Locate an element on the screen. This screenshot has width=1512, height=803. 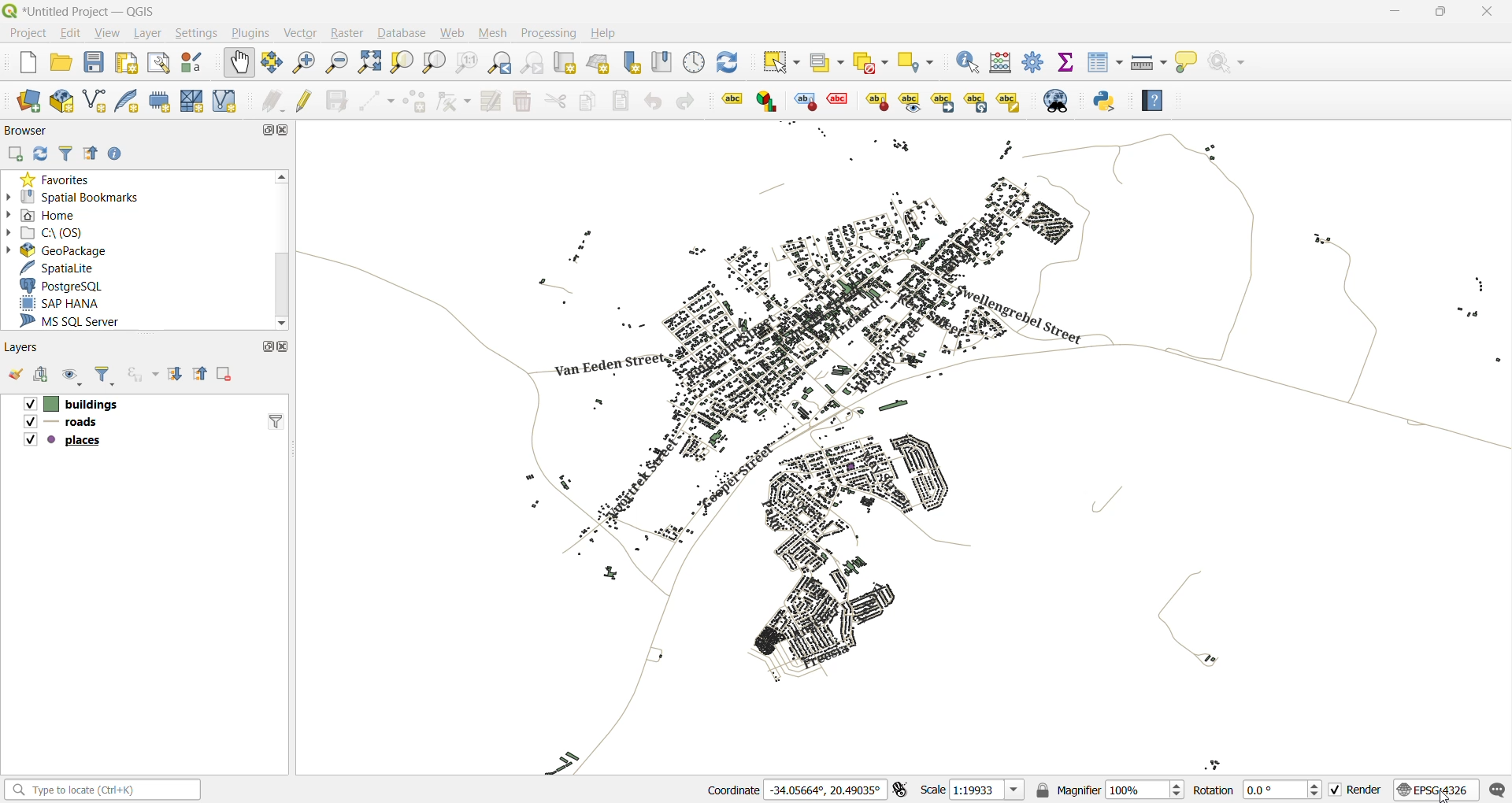
control panel is located at coordinates (698, 65).